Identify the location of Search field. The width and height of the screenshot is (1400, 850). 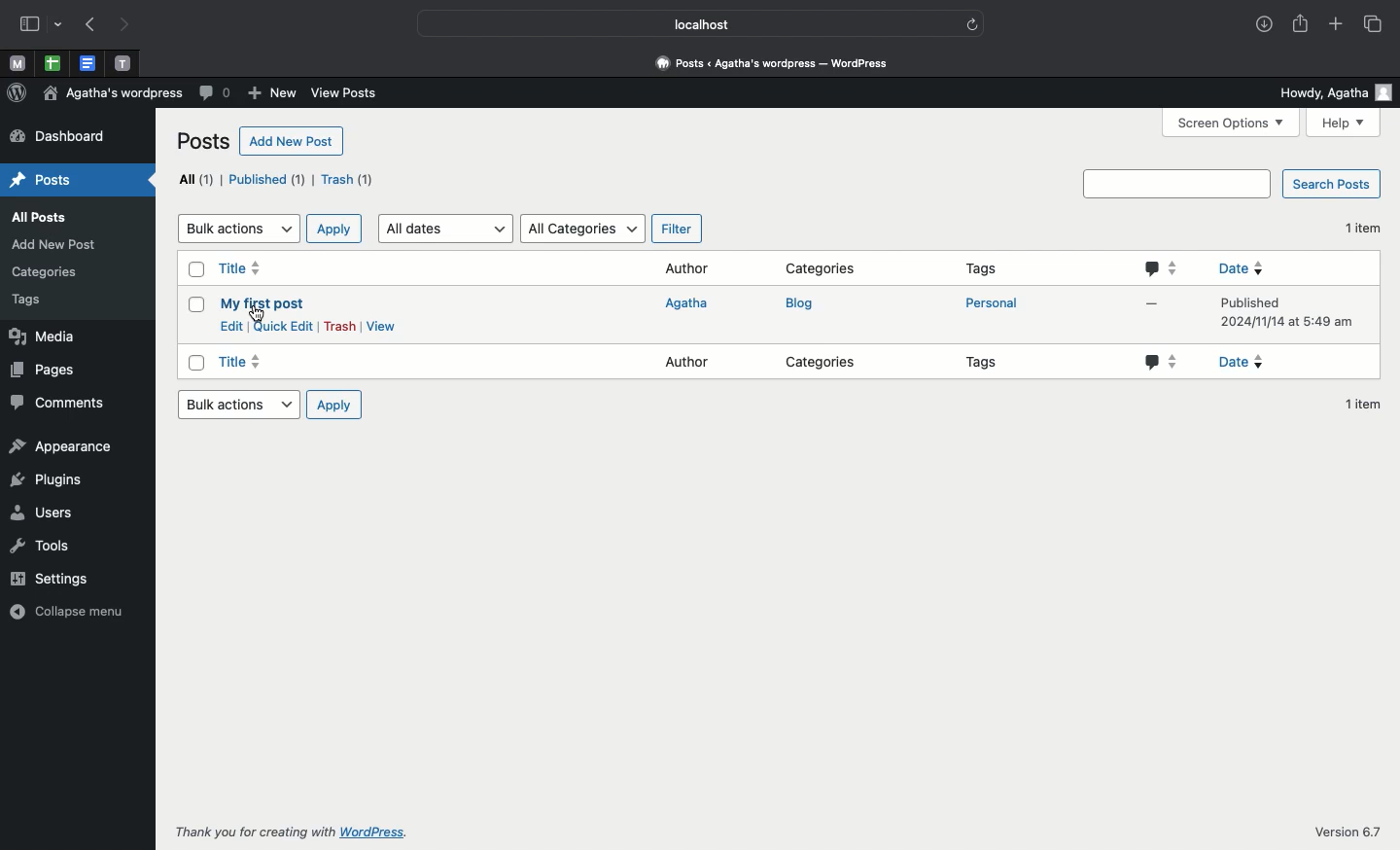
(1176, 185).